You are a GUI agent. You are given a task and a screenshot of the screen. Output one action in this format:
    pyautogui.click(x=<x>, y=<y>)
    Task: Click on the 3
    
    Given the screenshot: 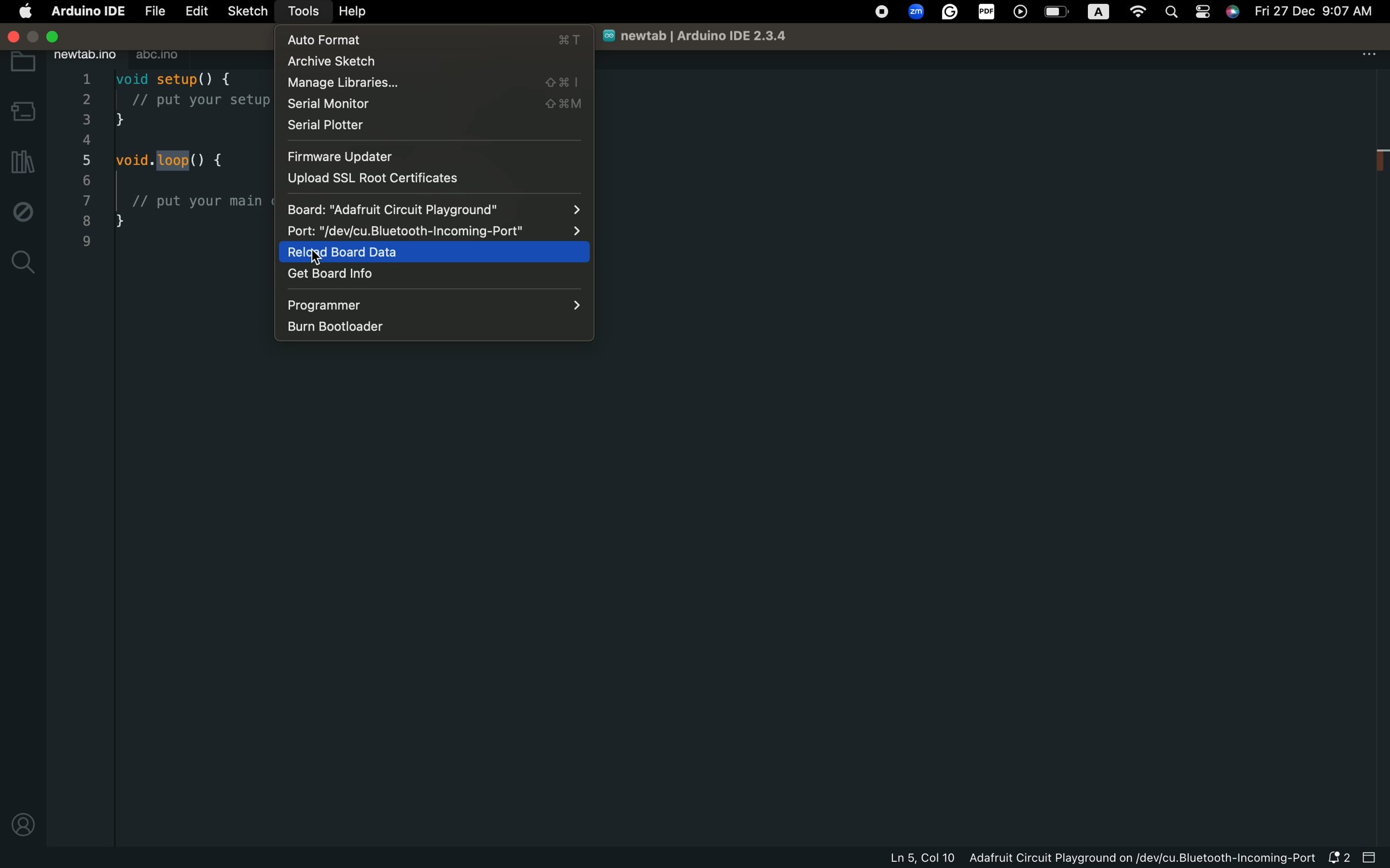 What is the action you would take?
    pyautogui.click(x=86, y=119)
    